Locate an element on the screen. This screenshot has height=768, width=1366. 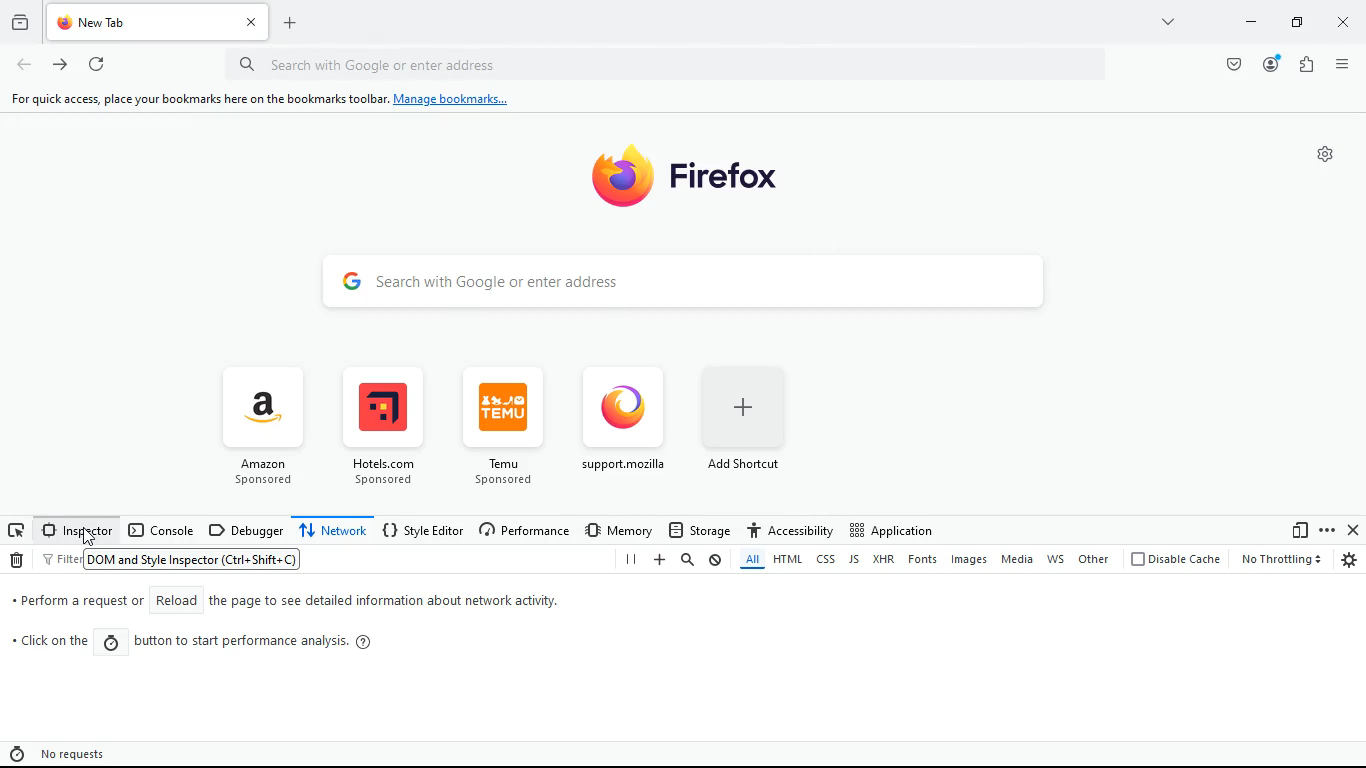
 Manage bookmarks. is located at coordinates (451, 100).